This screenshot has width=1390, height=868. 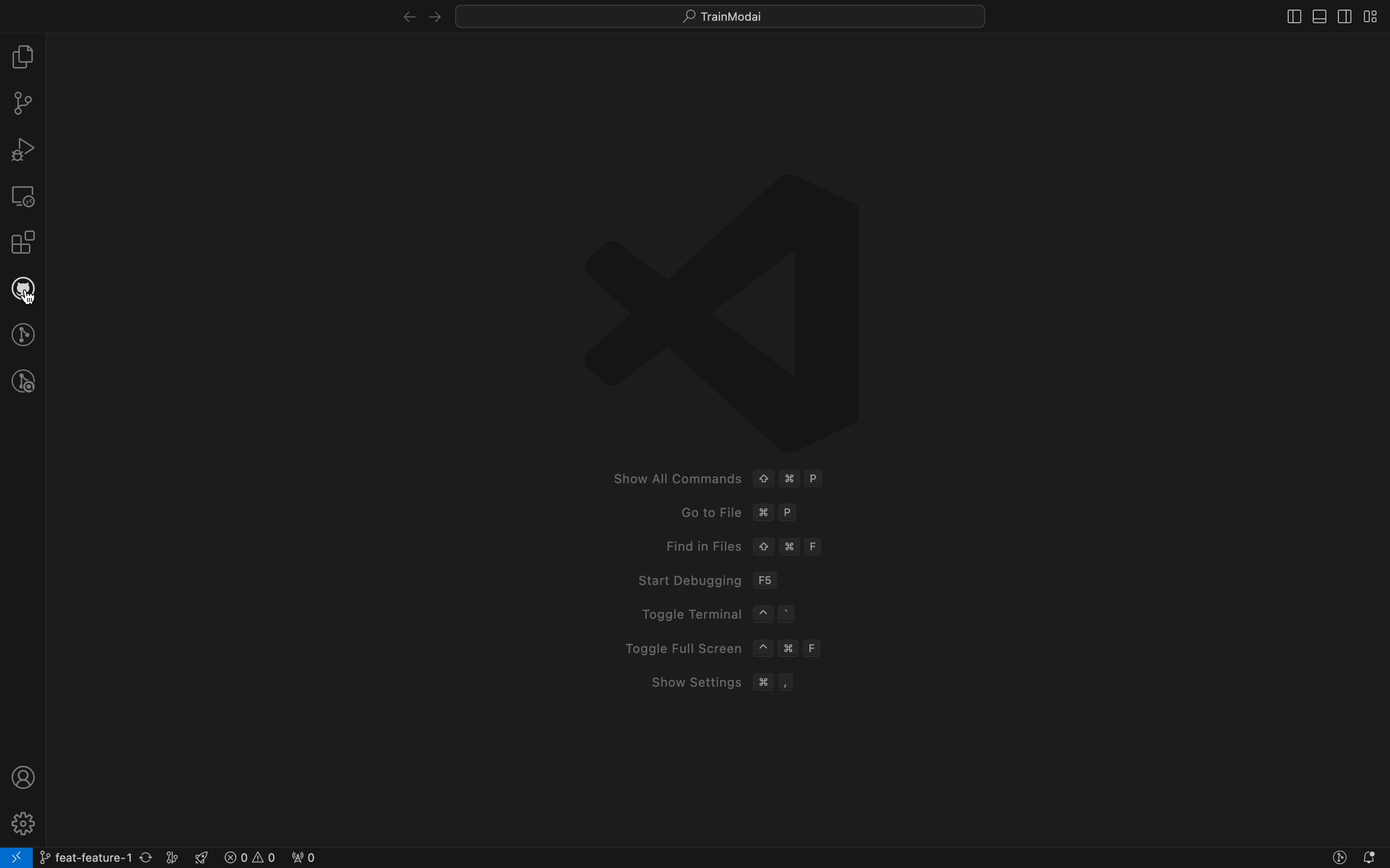 What do you see at coordinates (269, 858) in the screenshot?
I see `error logs` at bounding box center [269, 858].